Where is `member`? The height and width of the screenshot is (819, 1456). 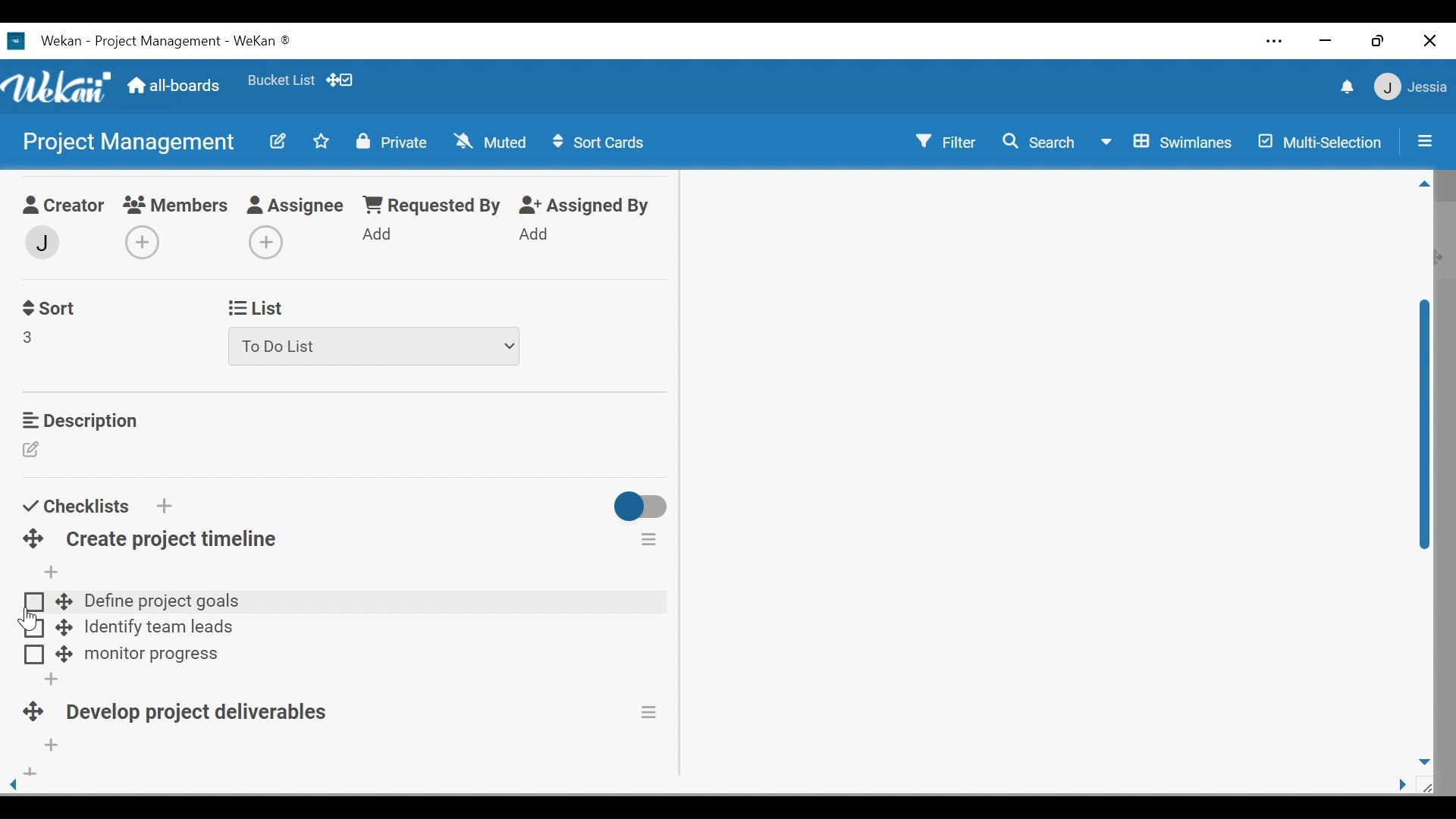 member is located at coordinates (40, 243).